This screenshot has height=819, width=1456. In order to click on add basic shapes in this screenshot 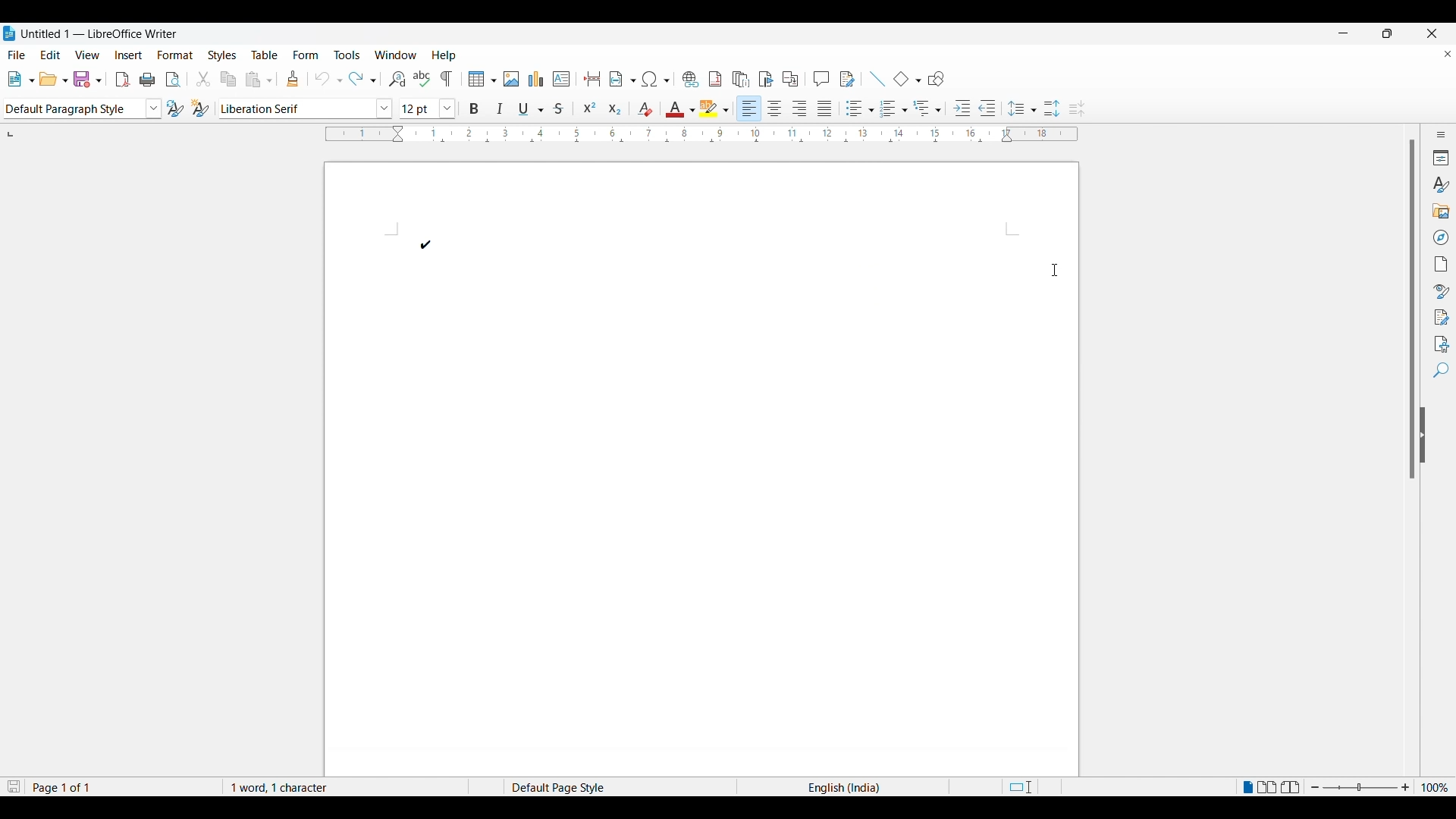, I will do `click(906, 78)`.